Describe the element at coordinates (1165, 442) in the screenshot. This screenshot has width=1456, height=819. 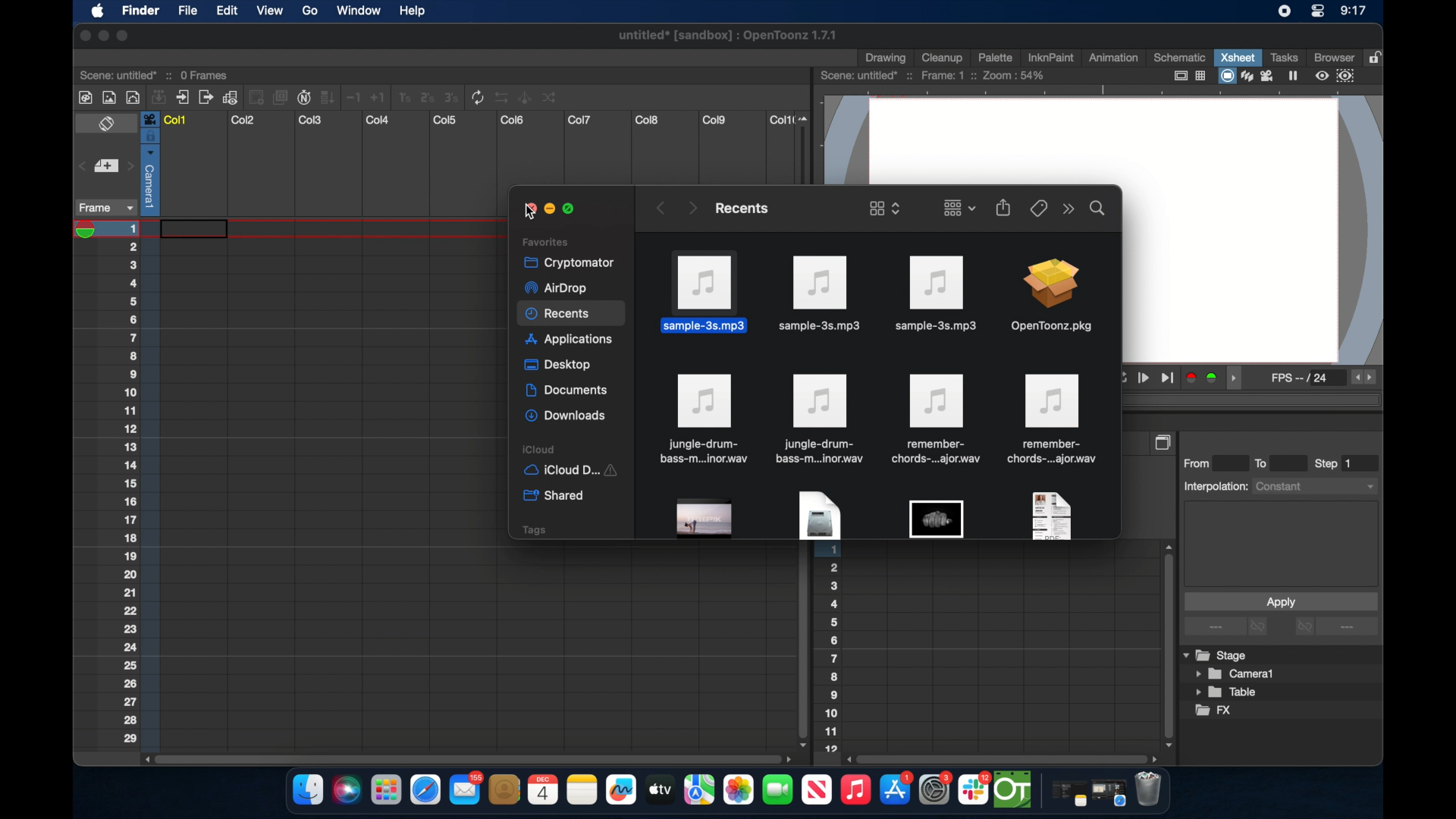
I see `copy` at that location.